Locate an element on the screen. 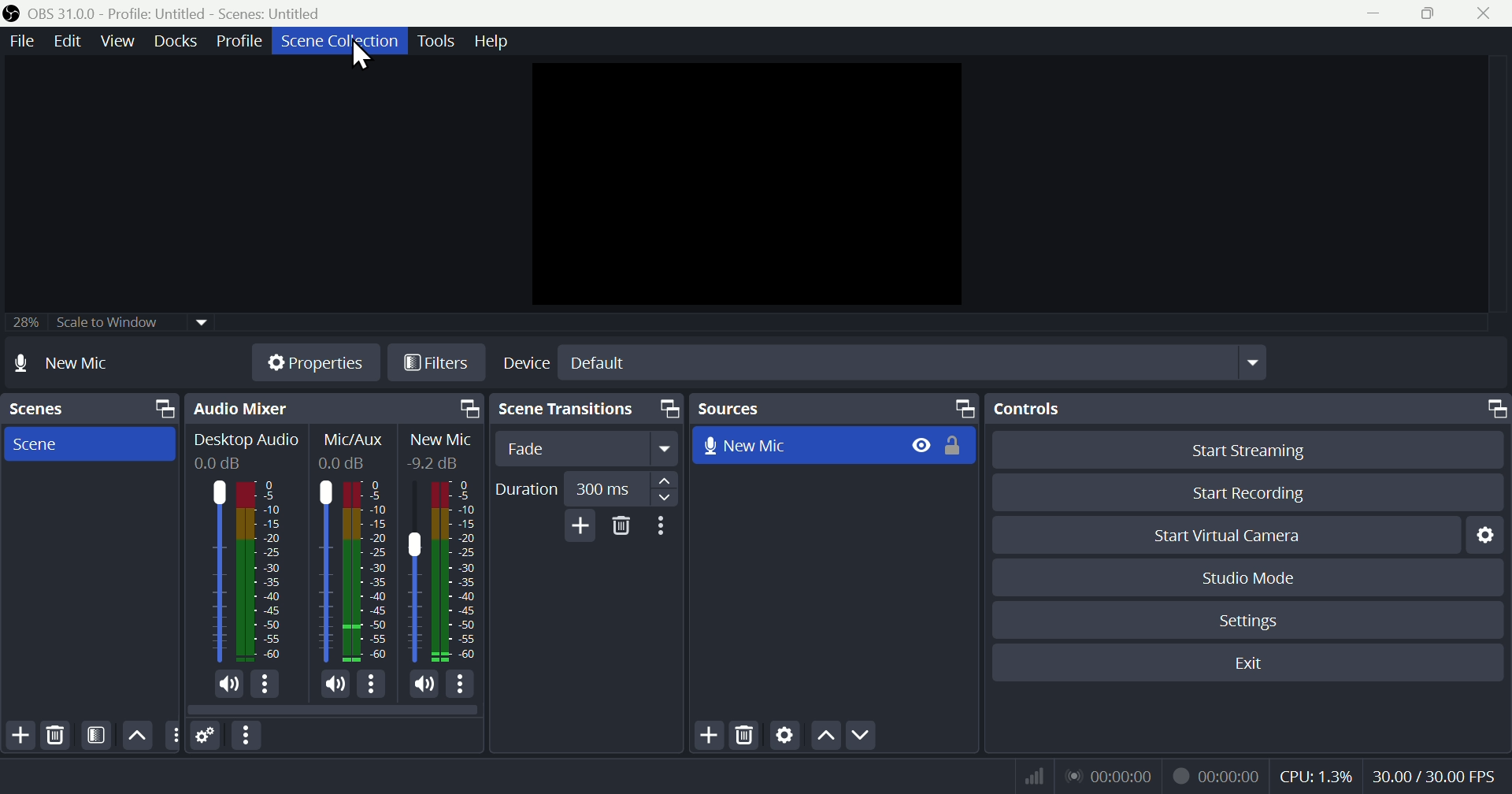  New Mic is located at coordinates (457, 573).